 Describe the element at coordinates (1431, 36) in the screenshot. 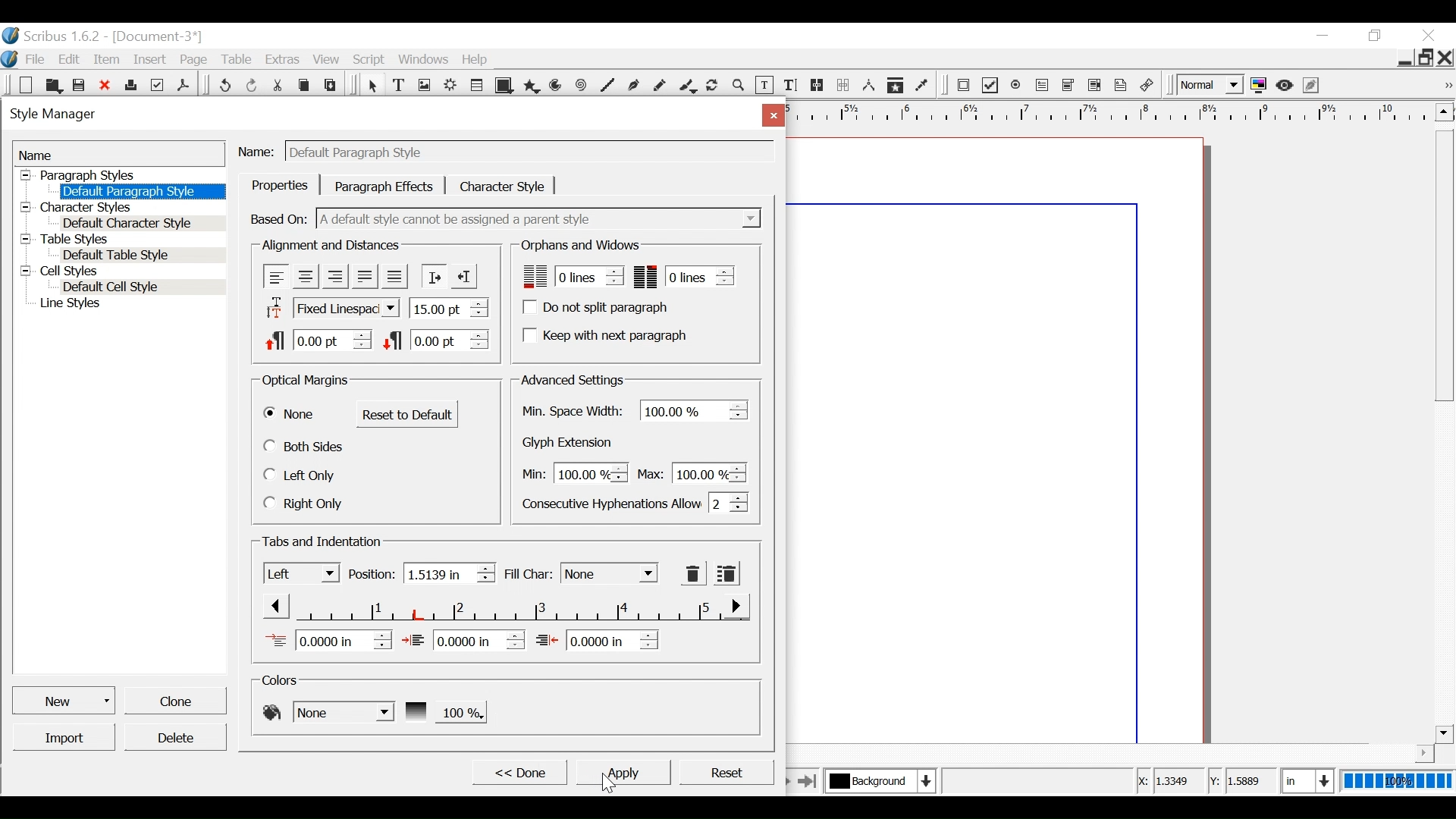

I see `Close` at that location.